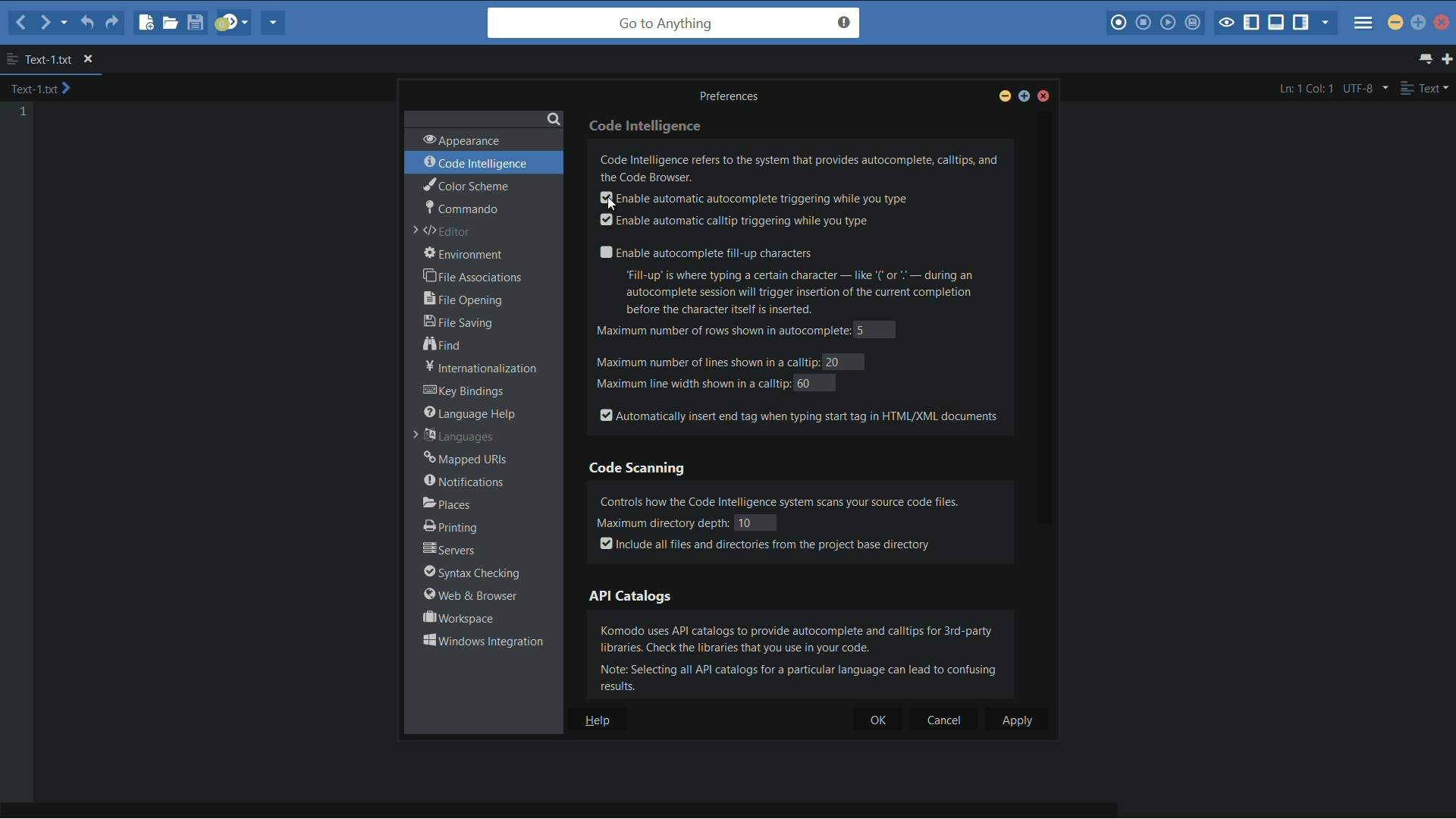 This screenshot has height=819, width=1456. I want to click on text-1.txt, so click(39, 59).